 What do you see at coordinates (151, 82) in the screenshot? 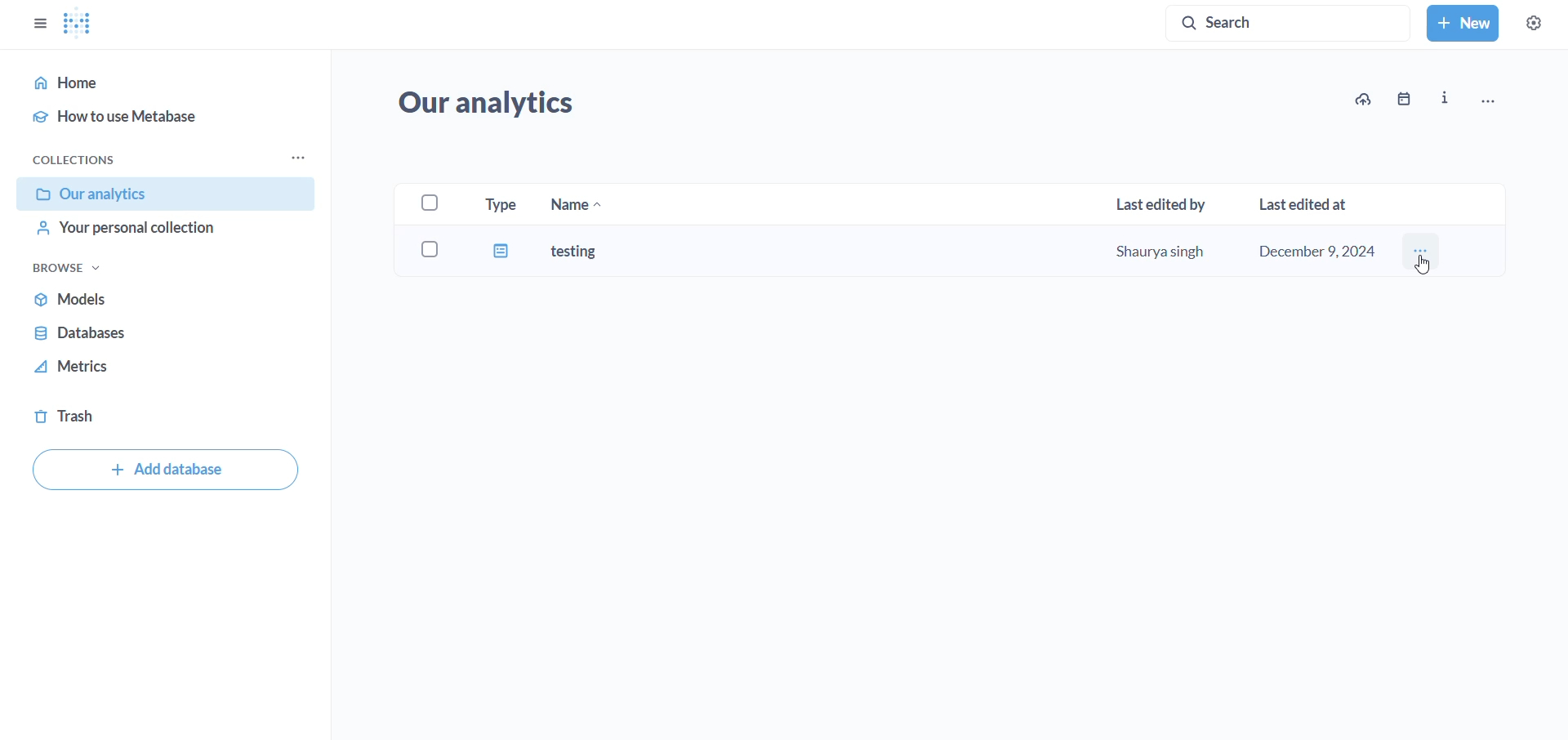
I see `home` at bounding box center [151, 82].